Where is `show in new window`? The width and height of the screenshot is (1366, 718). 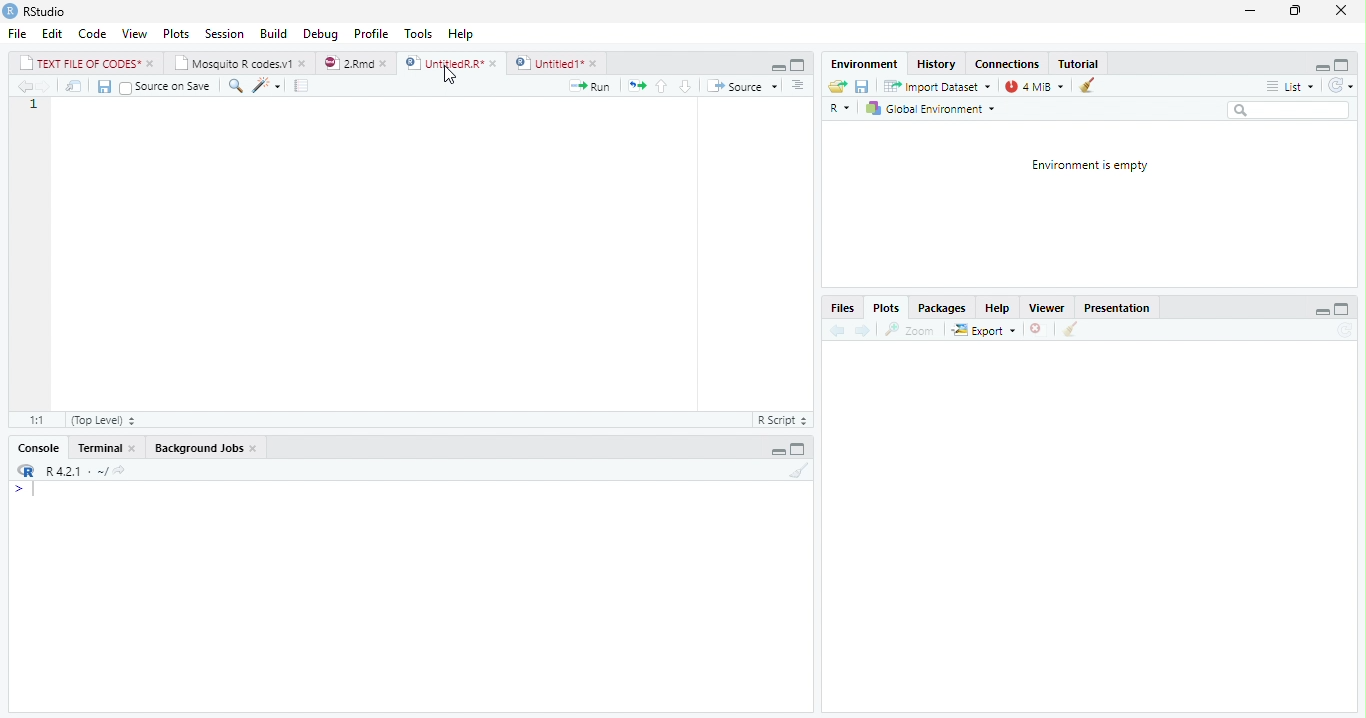 show in new window is located at coordinates (74, 86).